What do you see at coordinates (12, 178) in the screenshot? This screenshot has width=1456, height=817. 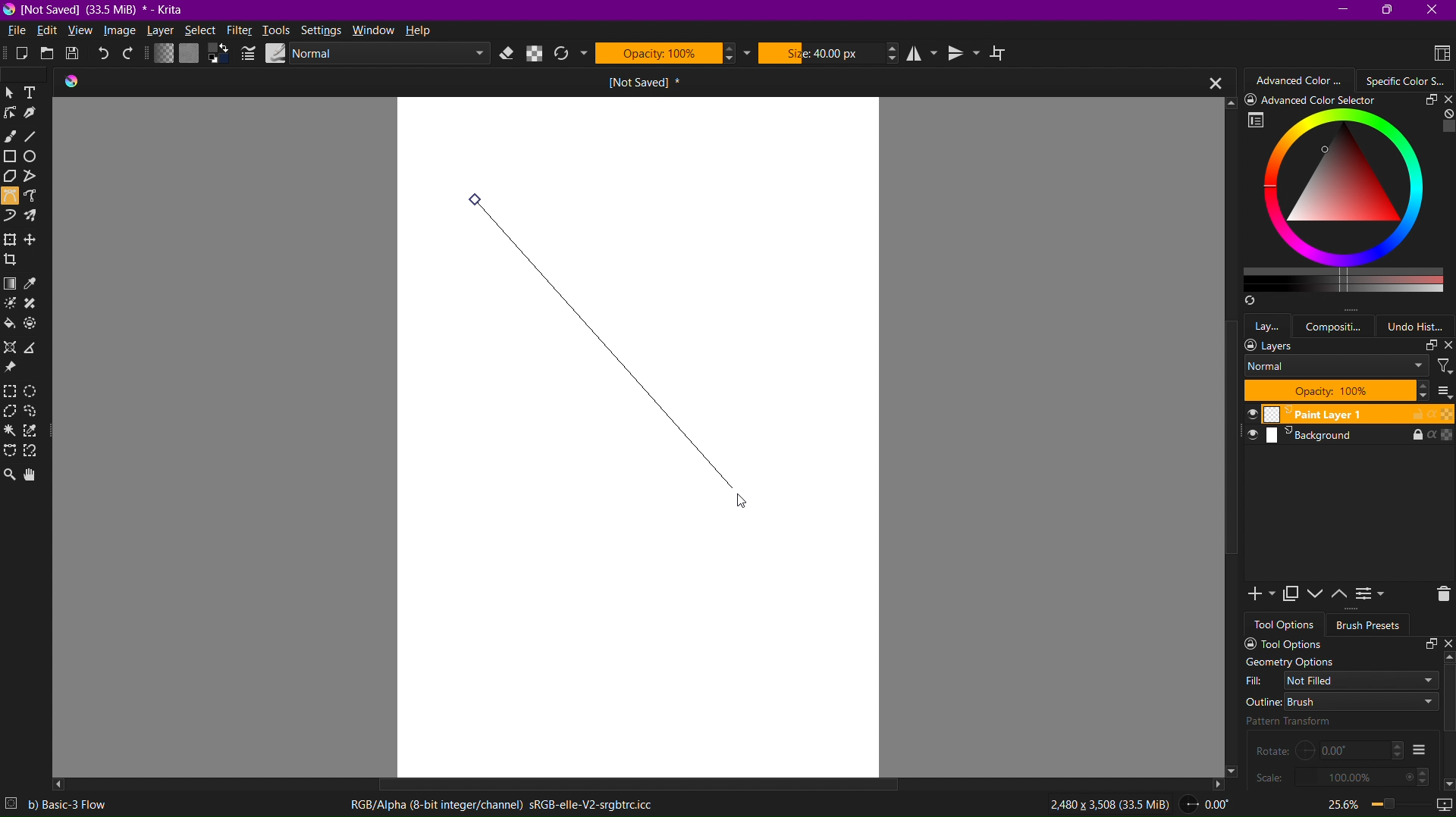 I see `Polygon Tool` at bounding box center [12, 178].